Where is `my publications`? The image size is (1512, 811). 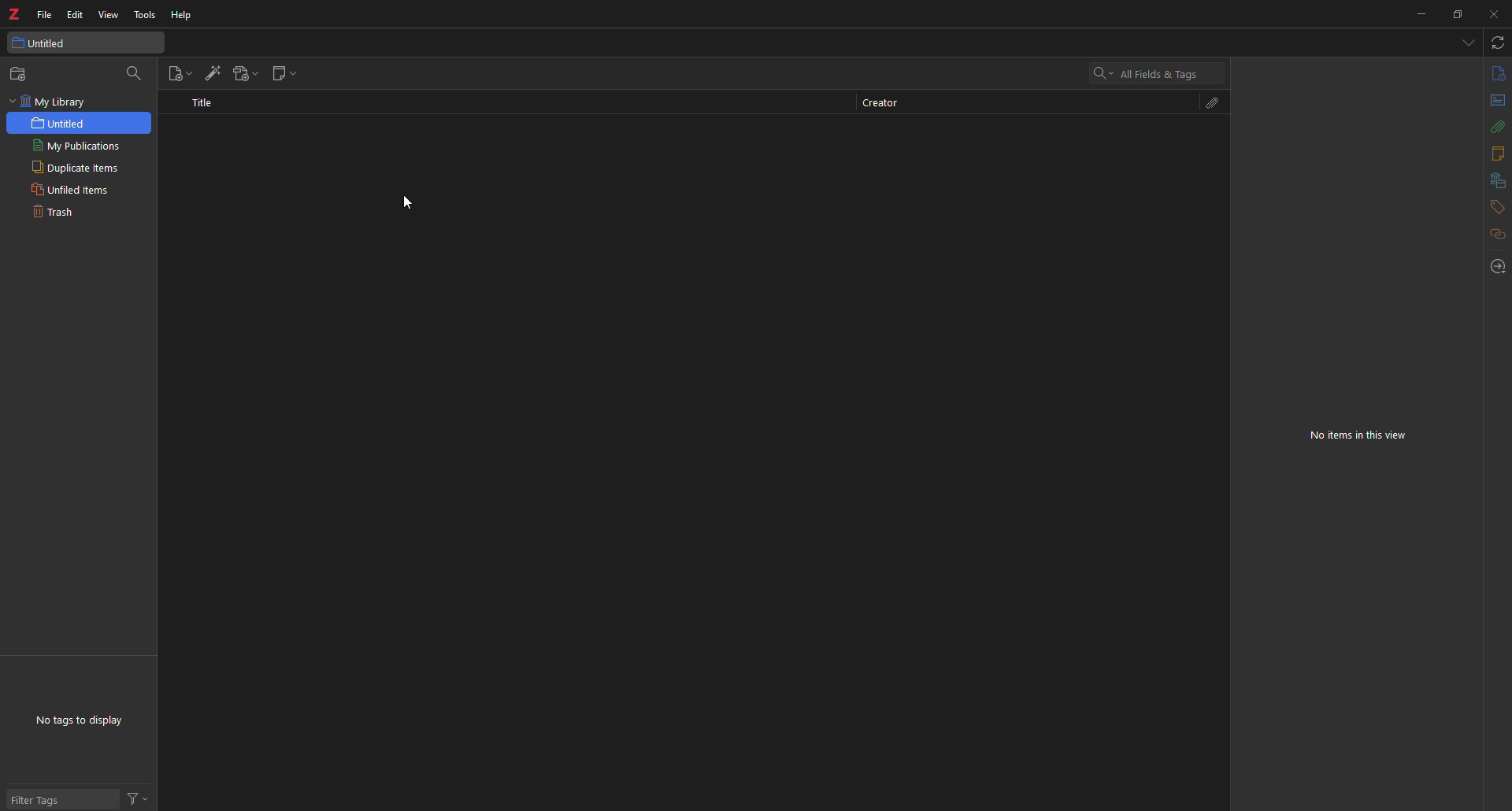 my publications is located at coordinates (74, 146).